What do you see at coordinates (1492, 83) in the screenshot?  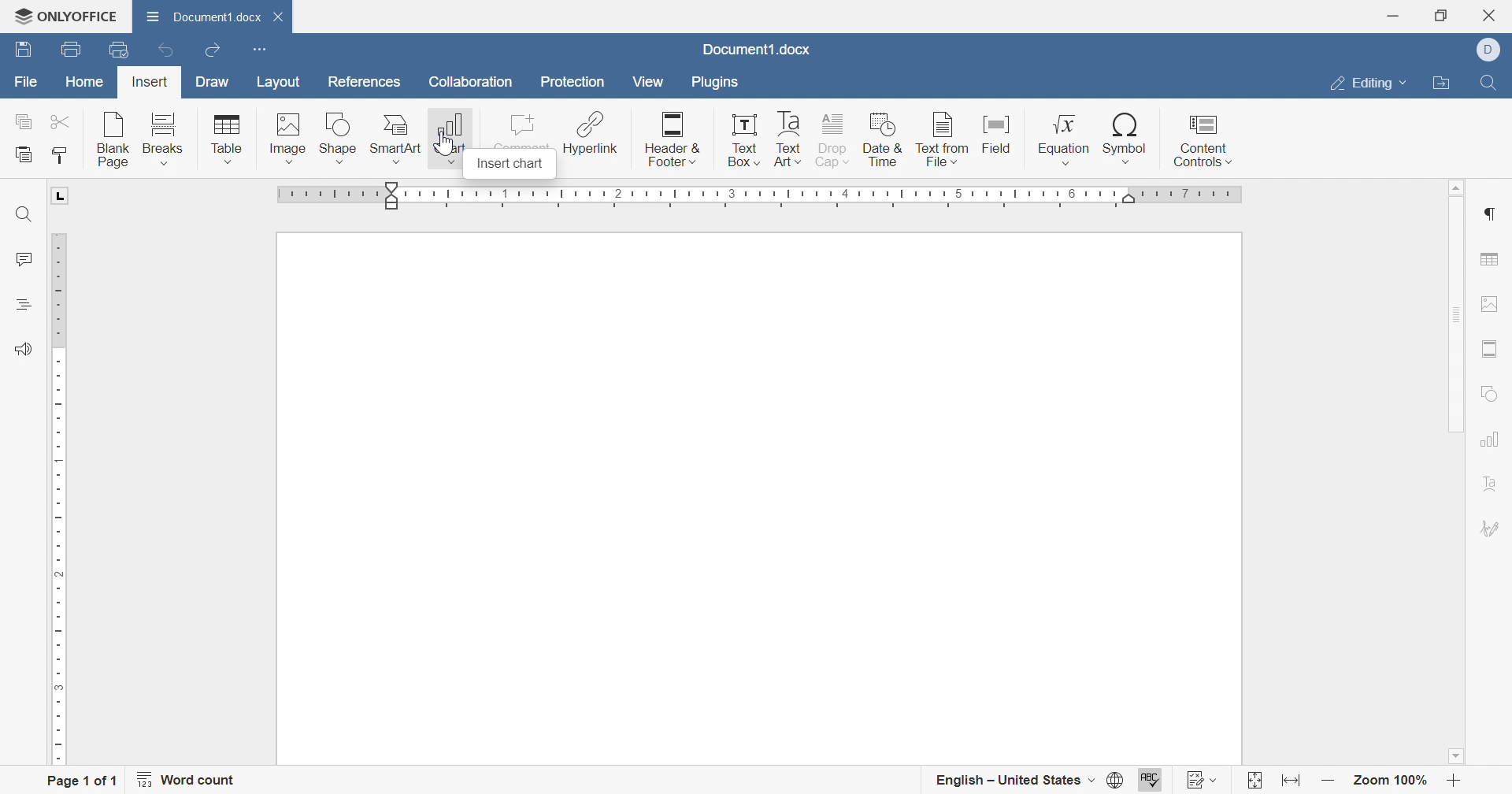 I see `Find` at bounding box center [1492, 83].